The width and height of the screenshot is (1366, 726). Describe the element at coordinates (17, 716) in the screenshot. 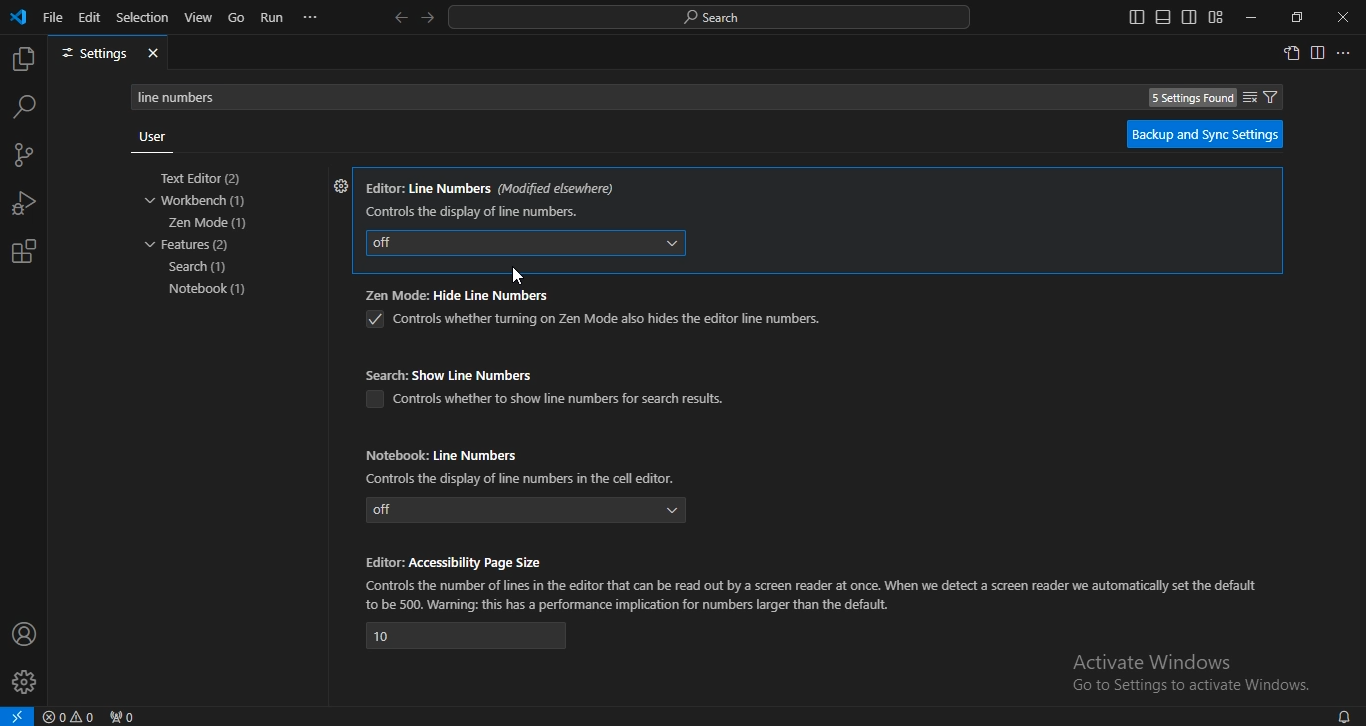

I see `open a remote window` at that location.